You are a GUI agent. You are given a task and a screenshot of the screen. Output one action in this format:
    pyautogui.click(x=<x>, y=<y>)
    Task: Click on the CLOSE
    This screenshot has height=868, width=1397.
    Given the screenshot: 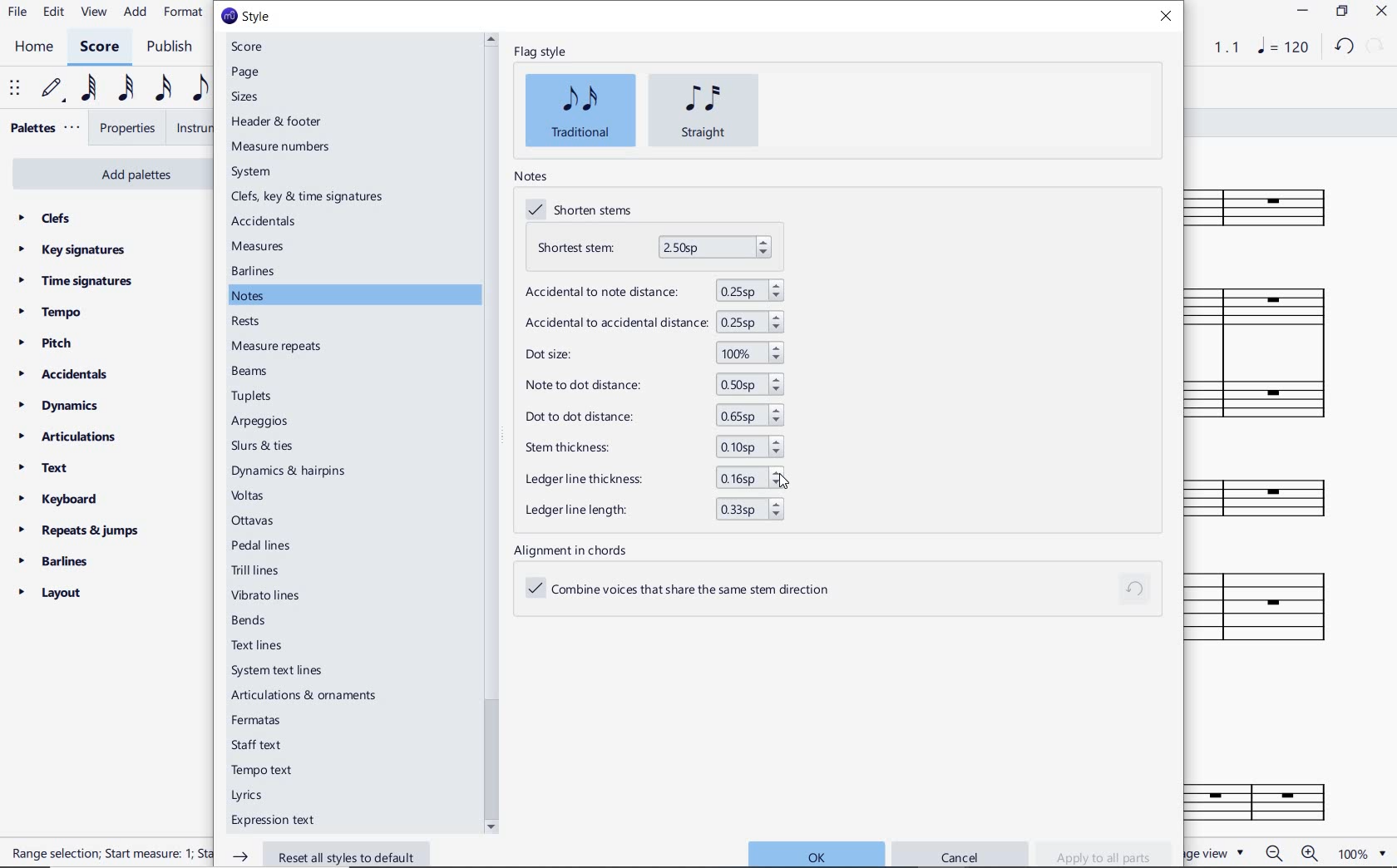 What is the action you would take?
    pyautogui.click(x=1381, y=12)
    